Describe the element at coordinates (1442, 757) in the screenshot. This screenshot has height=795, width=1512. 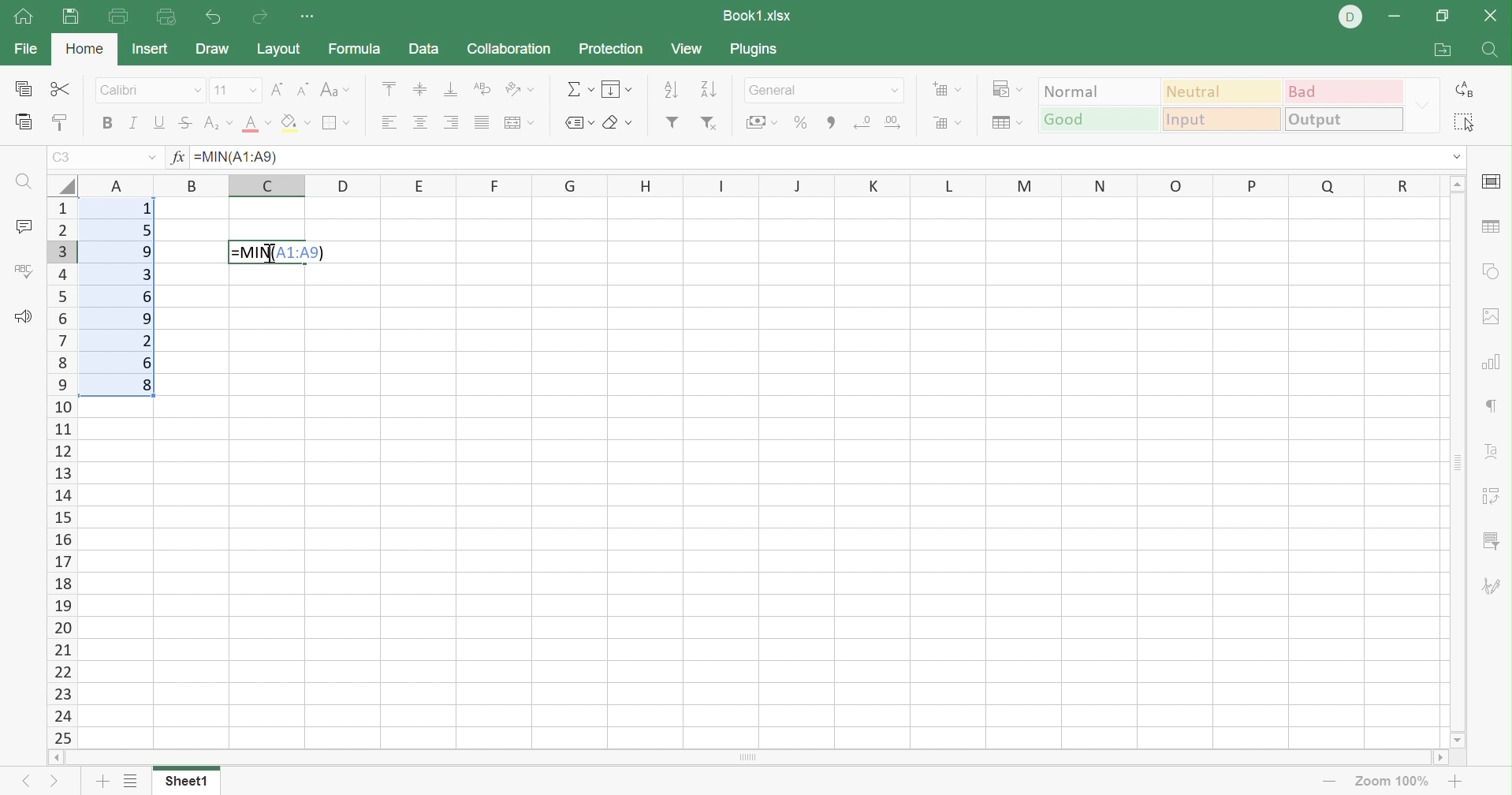
I see `Scroll Right` at that location.